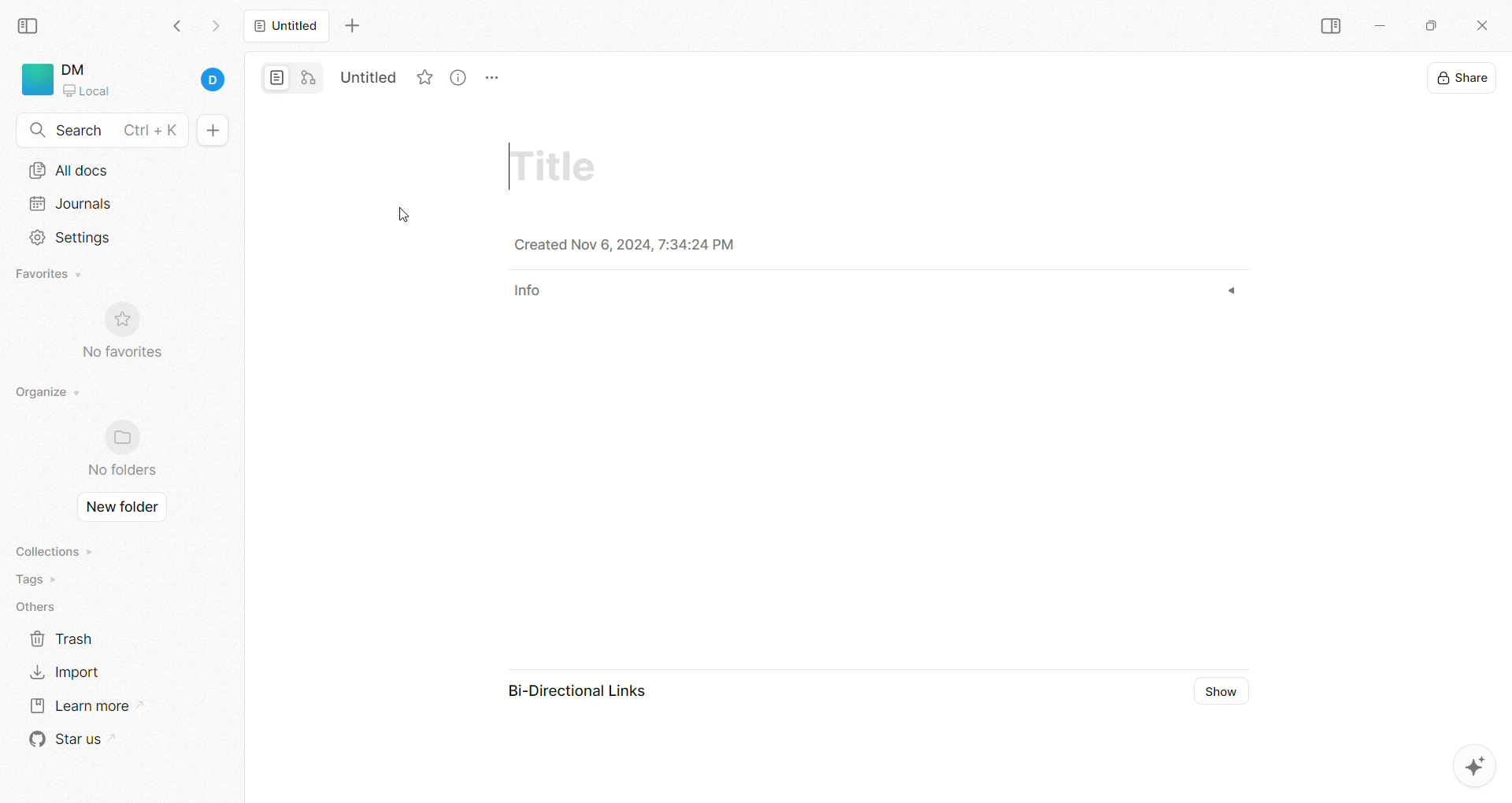 The height and width of the screenshot is (803, 1512). Describe the element at coordinates (286, 24) in the screenshot. I see `untitled` at that location.